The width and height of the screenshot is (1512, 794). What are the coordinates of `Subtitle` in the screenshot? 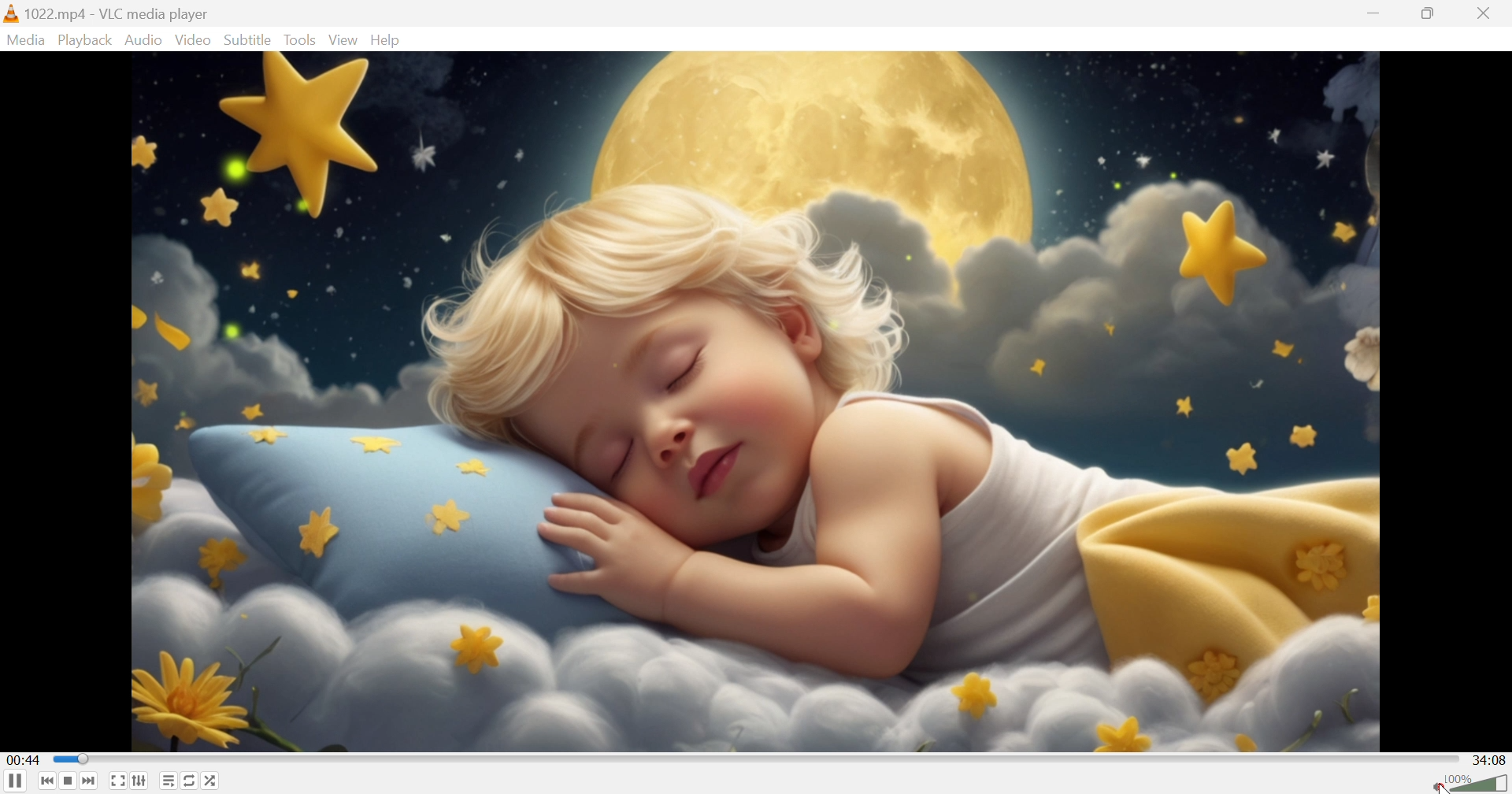 It's located at (248, 39).